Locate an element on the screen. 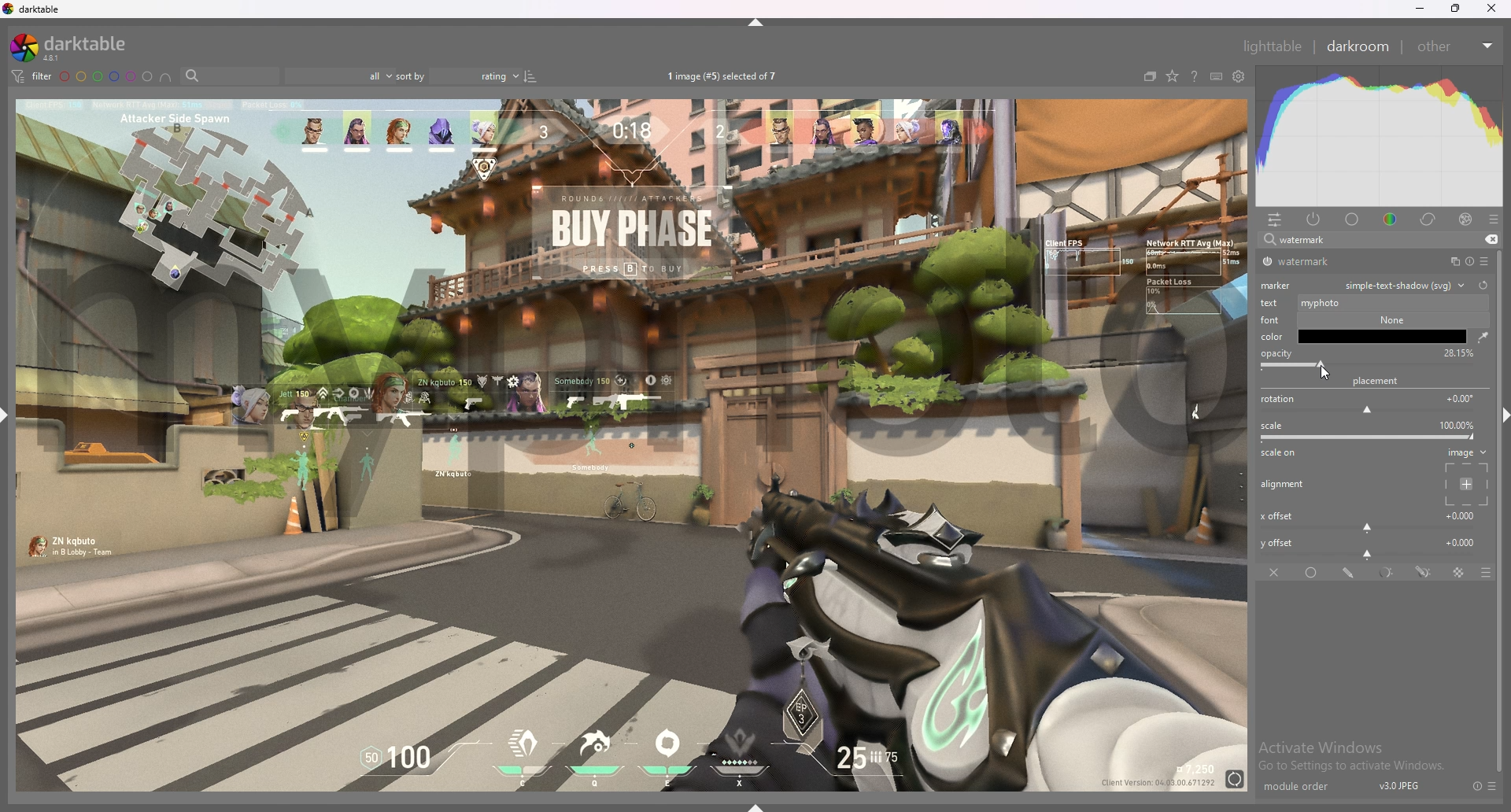 The width and height of the screenshot is (1511, 812). waterdrop tool is located at coordinates (1479, 337).